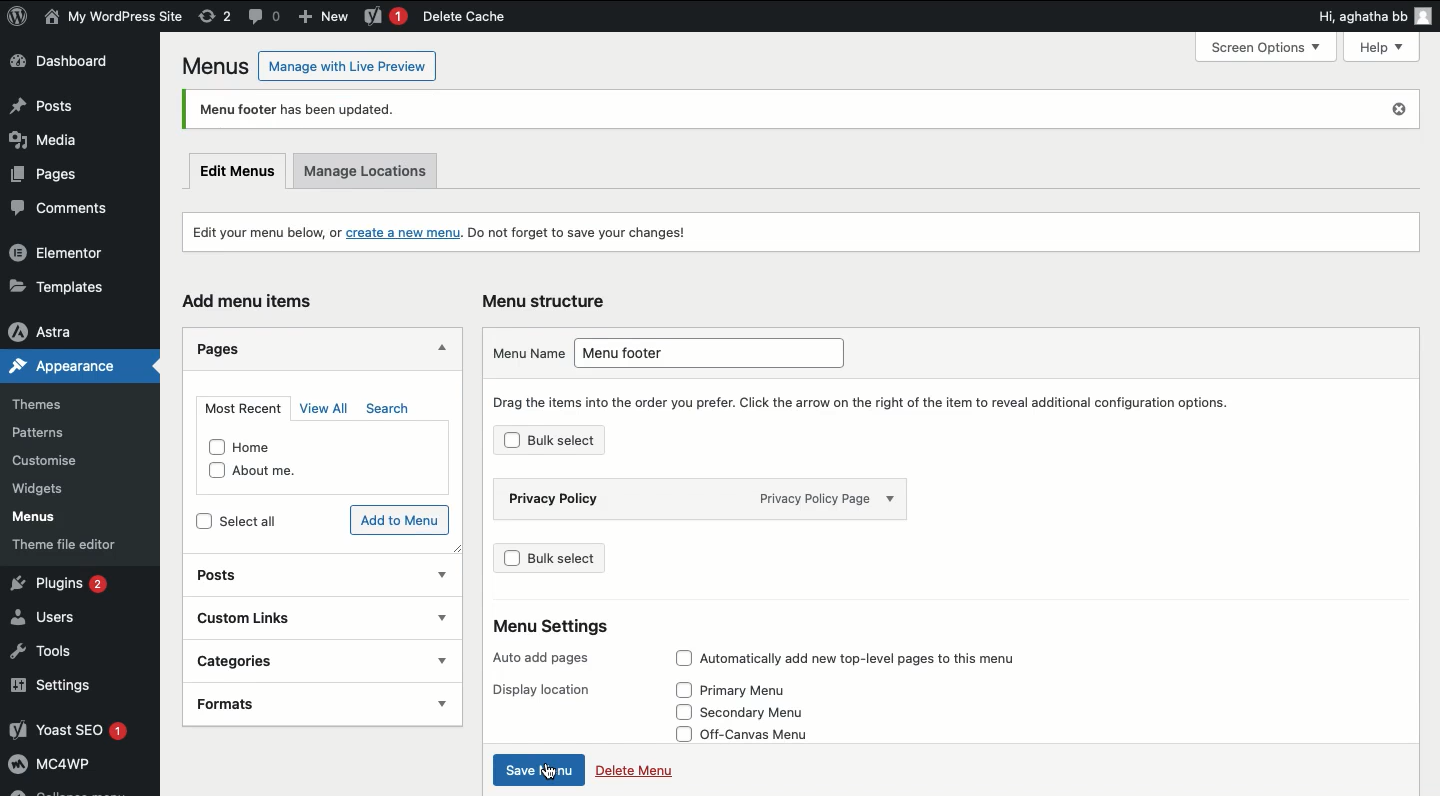 Image resolution: width=1440 pixels, height=796 pixels. I want to click on Custom links, so click(292, 621).